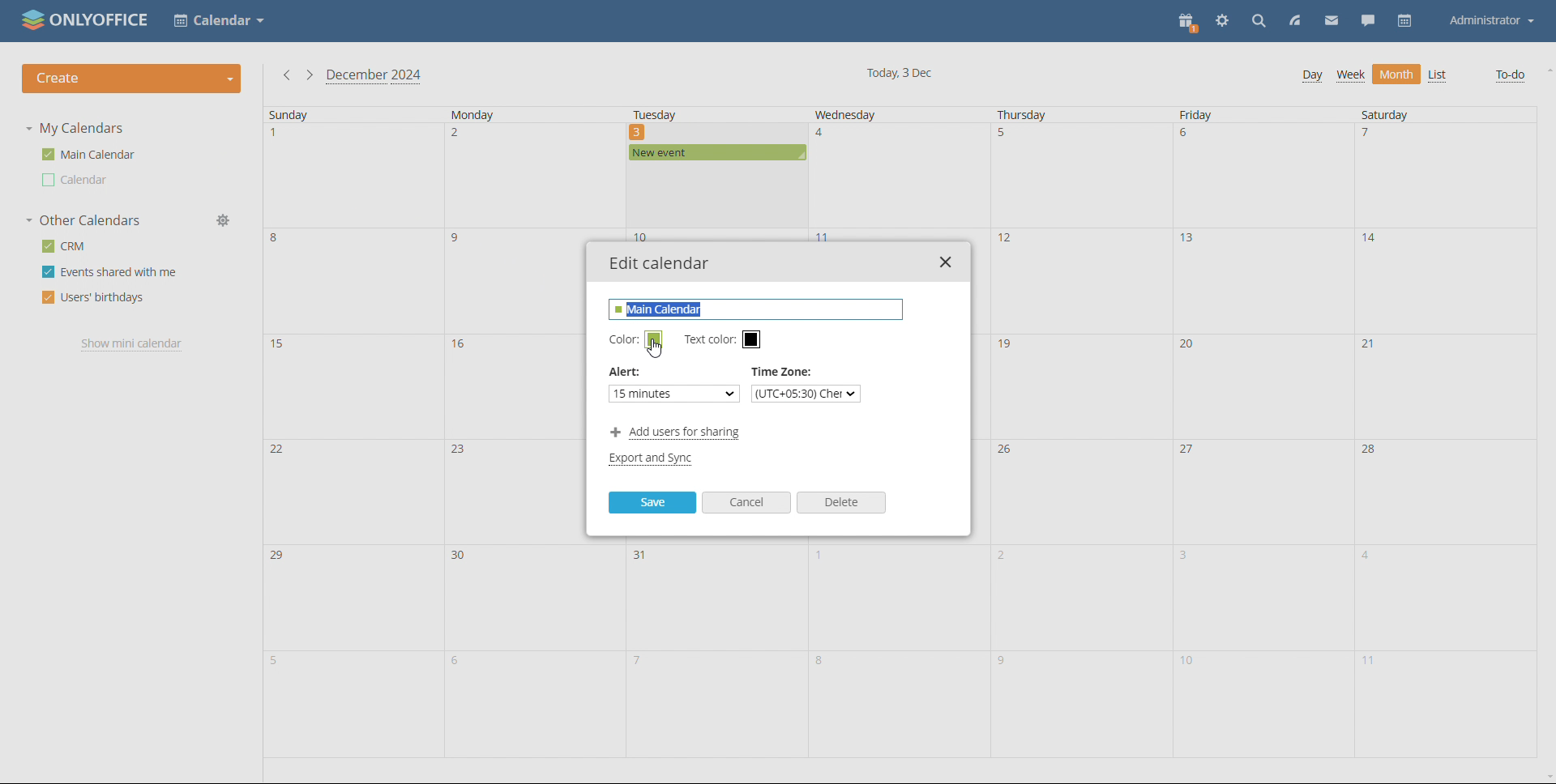  I want to click on date, so click(1261, 386).